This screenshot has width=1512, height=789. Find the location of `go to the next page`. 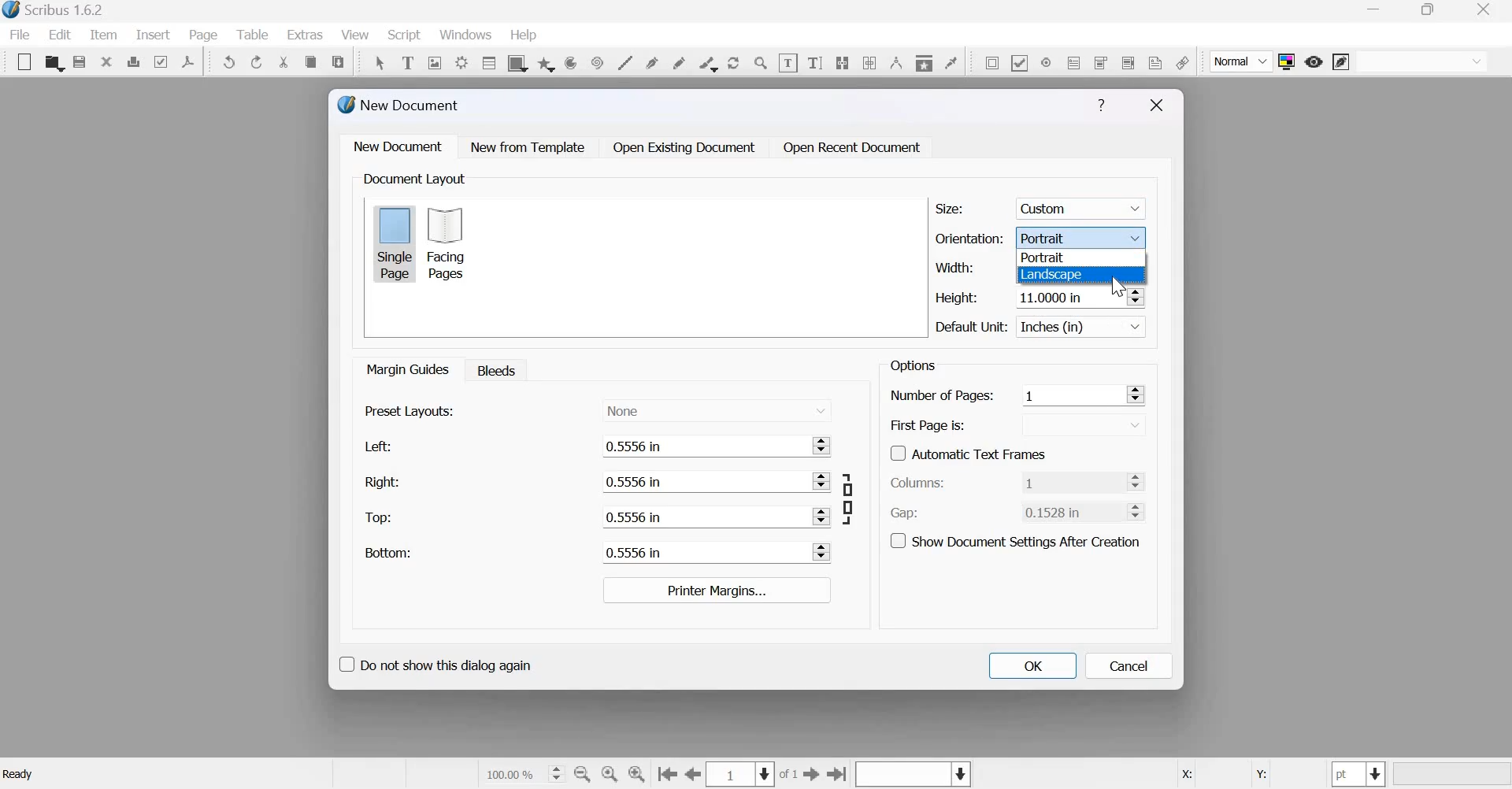

go to the next page is located at coordinates (812, 773).